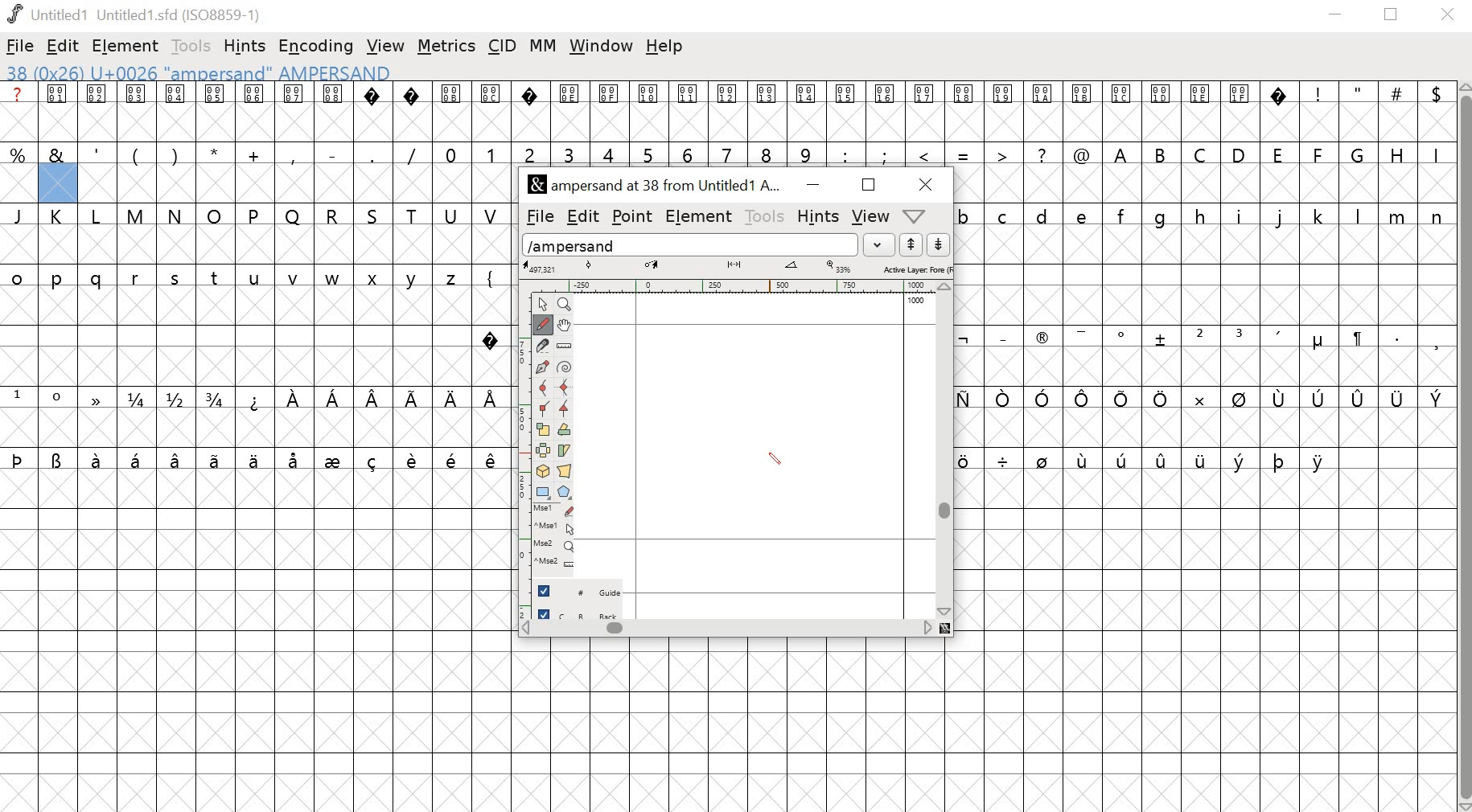 The width and height of the screenshot is (1472, 812). Describe the element at coordinates (492, 397) in the screenshot. I see `symbol` at that location.